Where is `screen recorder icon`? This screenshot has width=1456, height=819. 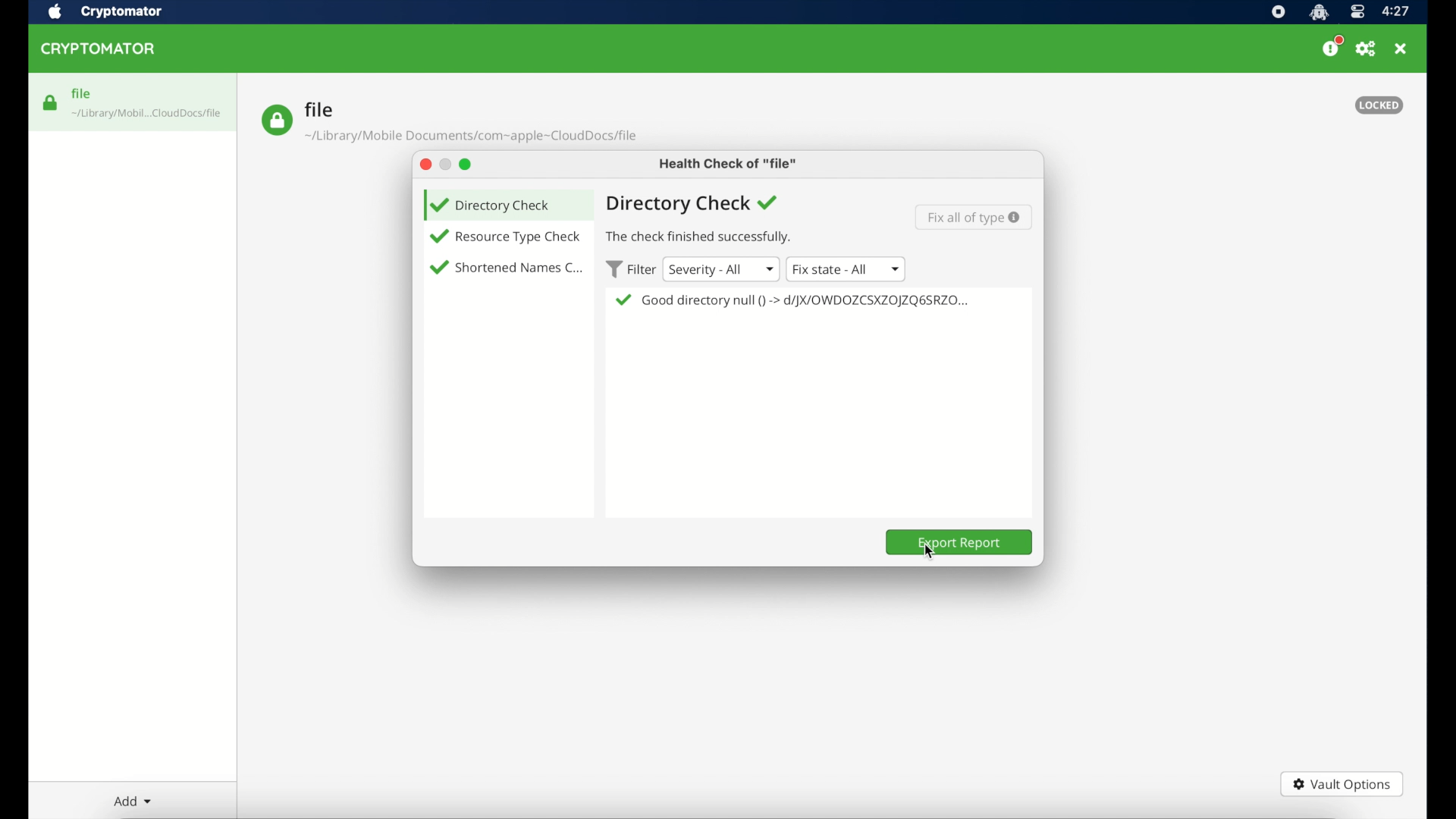
screen recorder icon is located at coordinates (1278, 12).